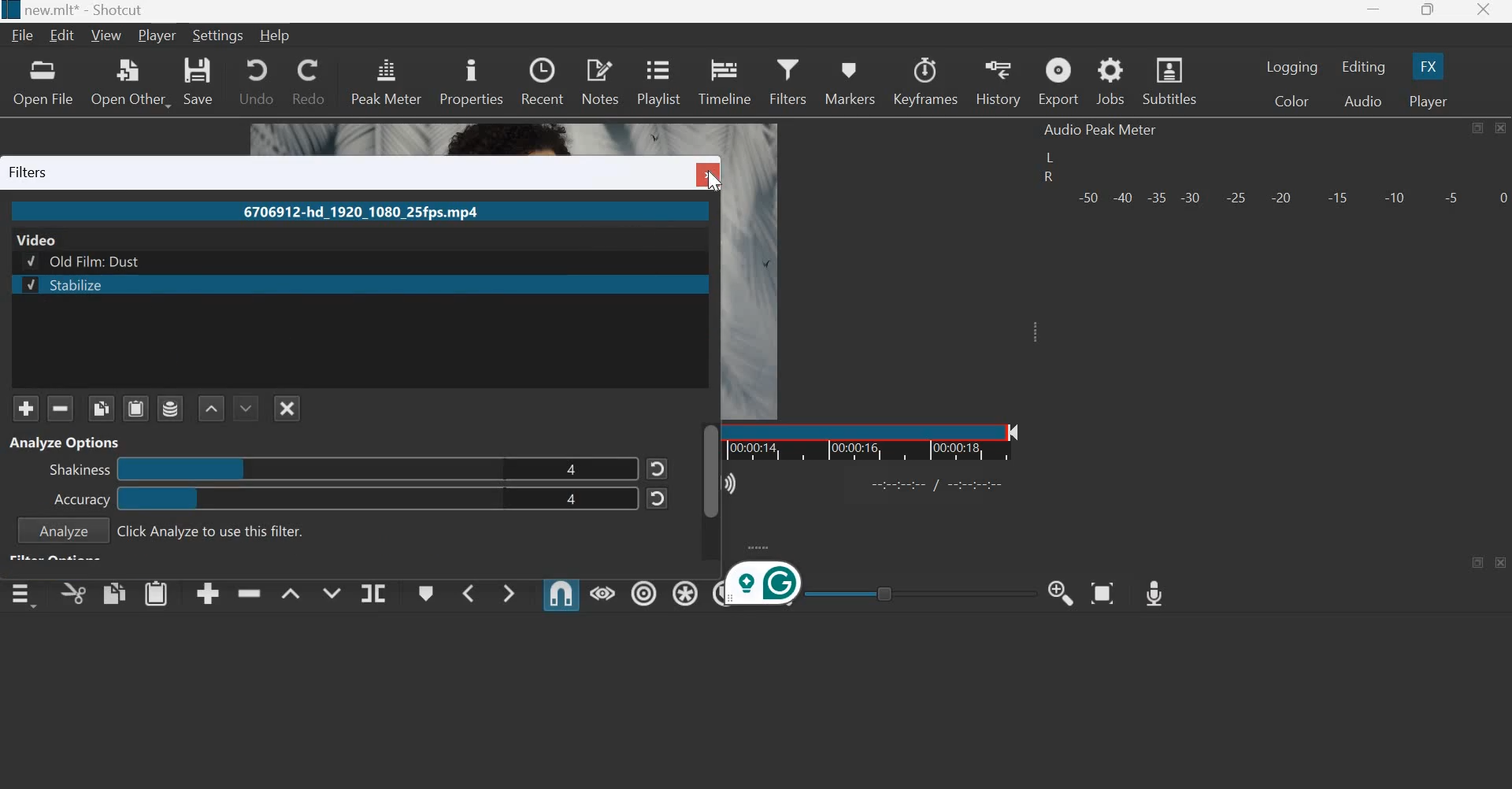 This screenshot has width=1512, height=789. I want to click on Create/edit marker, so click(424, 592).